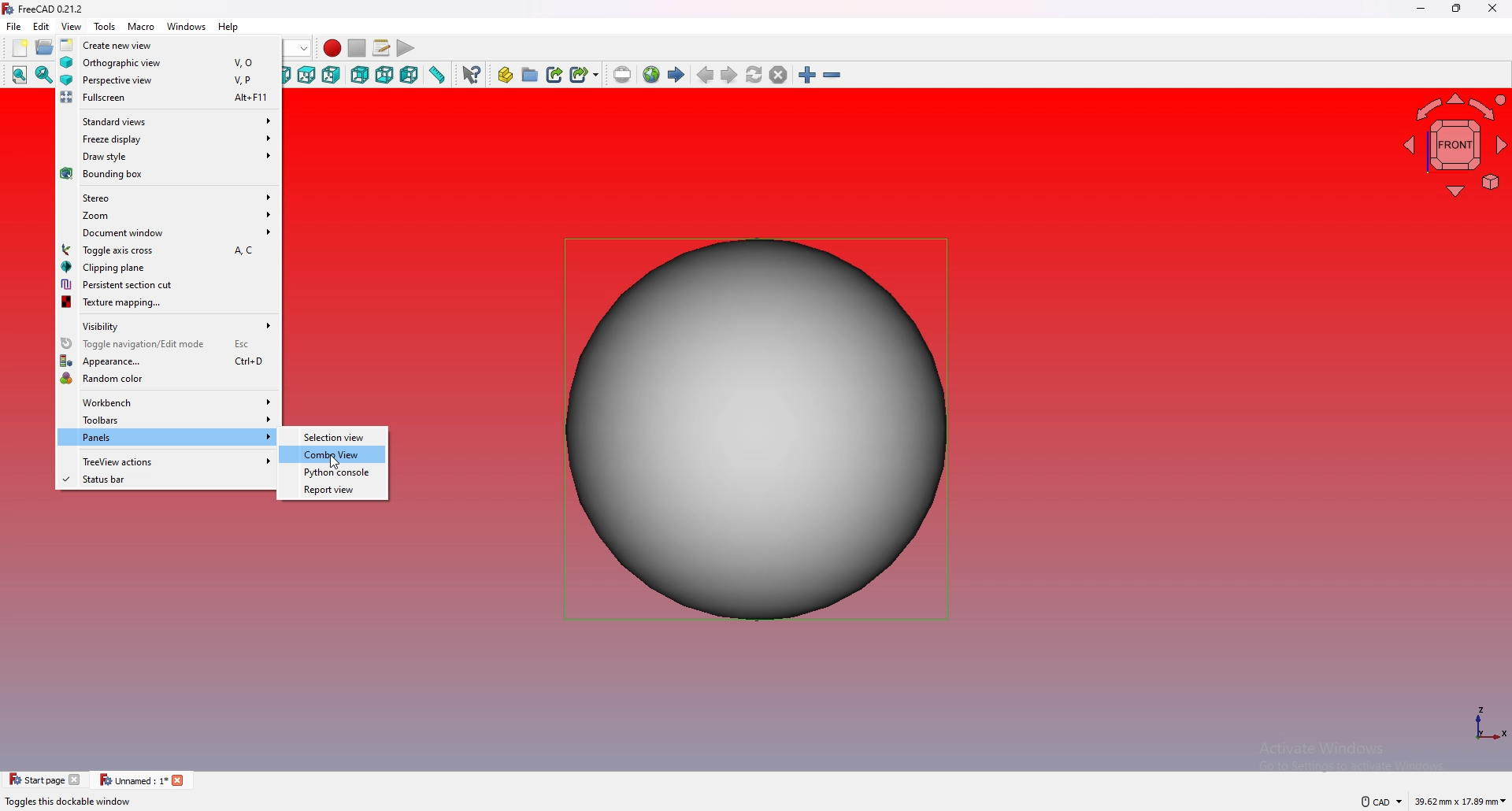 This screenshot has height=811, width=1512. I want to click on down, so click(302, 49).